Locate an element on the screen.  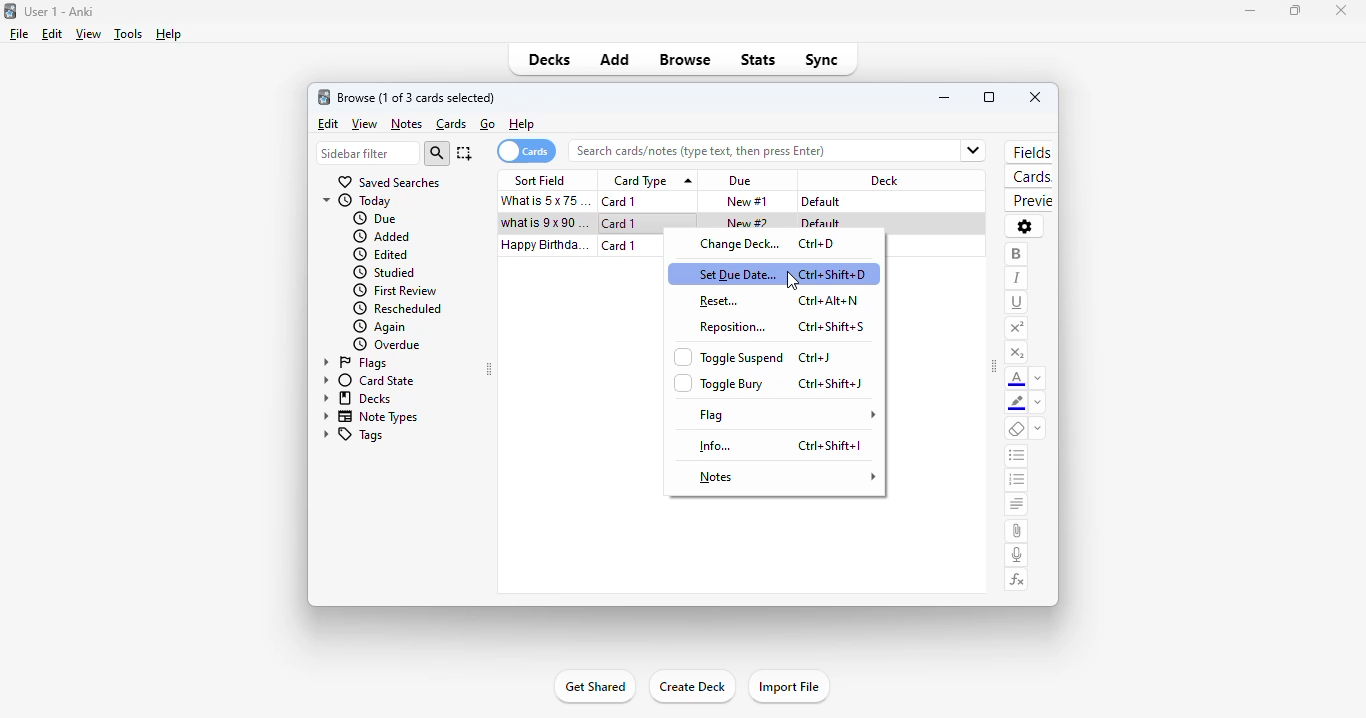
select is located at coordinates (464, 153).